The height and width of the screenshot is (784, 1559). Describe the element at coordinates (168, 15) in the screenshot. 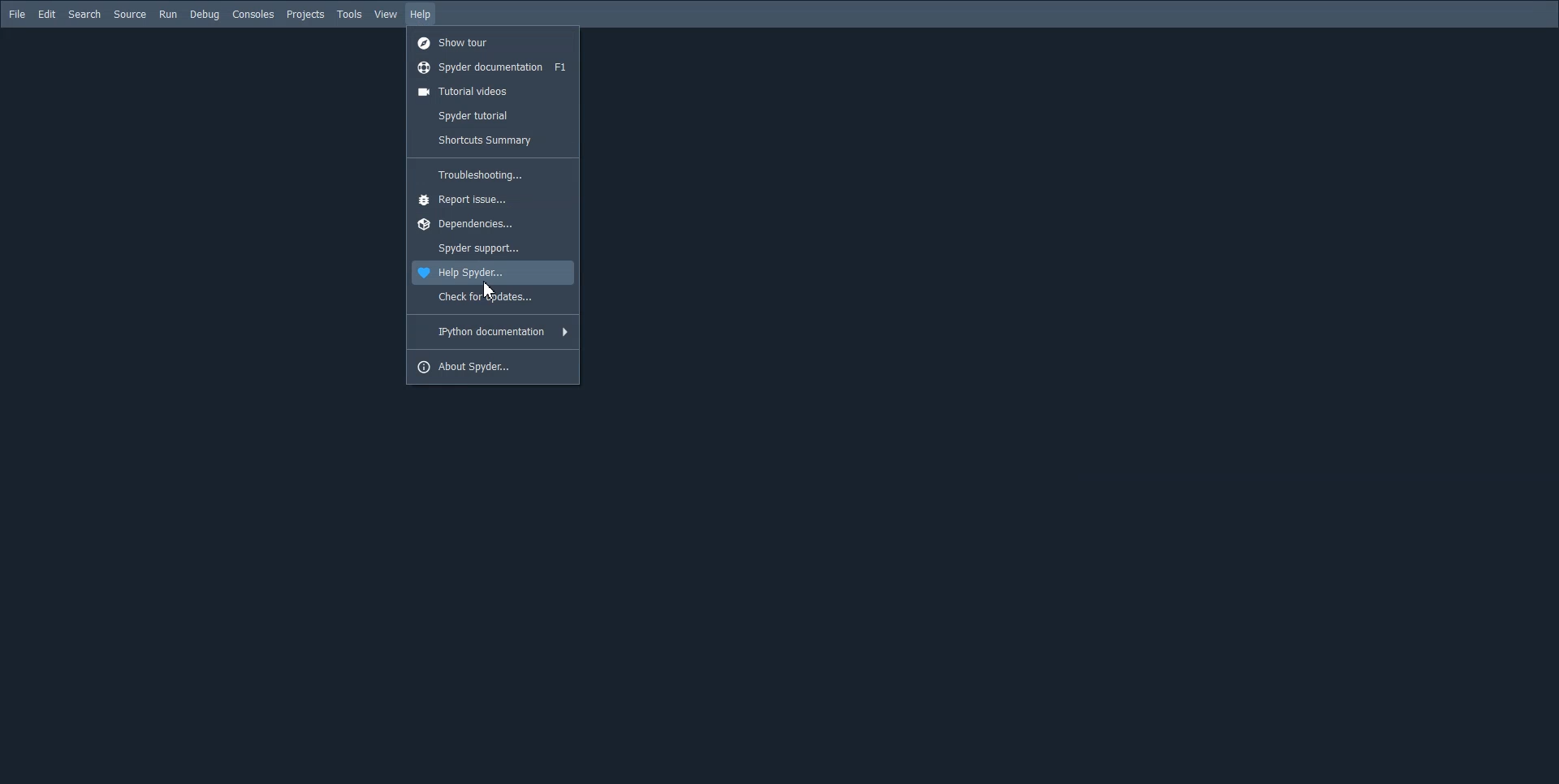

I see `Run` at that location.